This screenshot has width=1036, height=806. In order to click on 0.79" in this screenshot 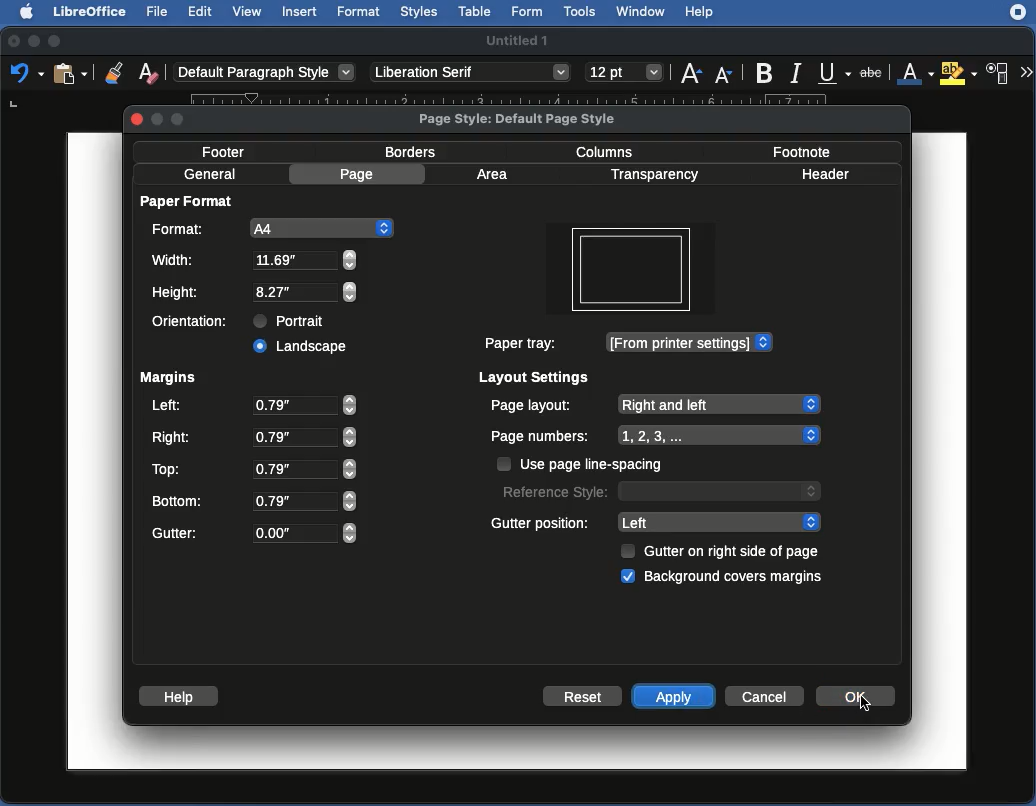, I will do `click(303, 436)`.